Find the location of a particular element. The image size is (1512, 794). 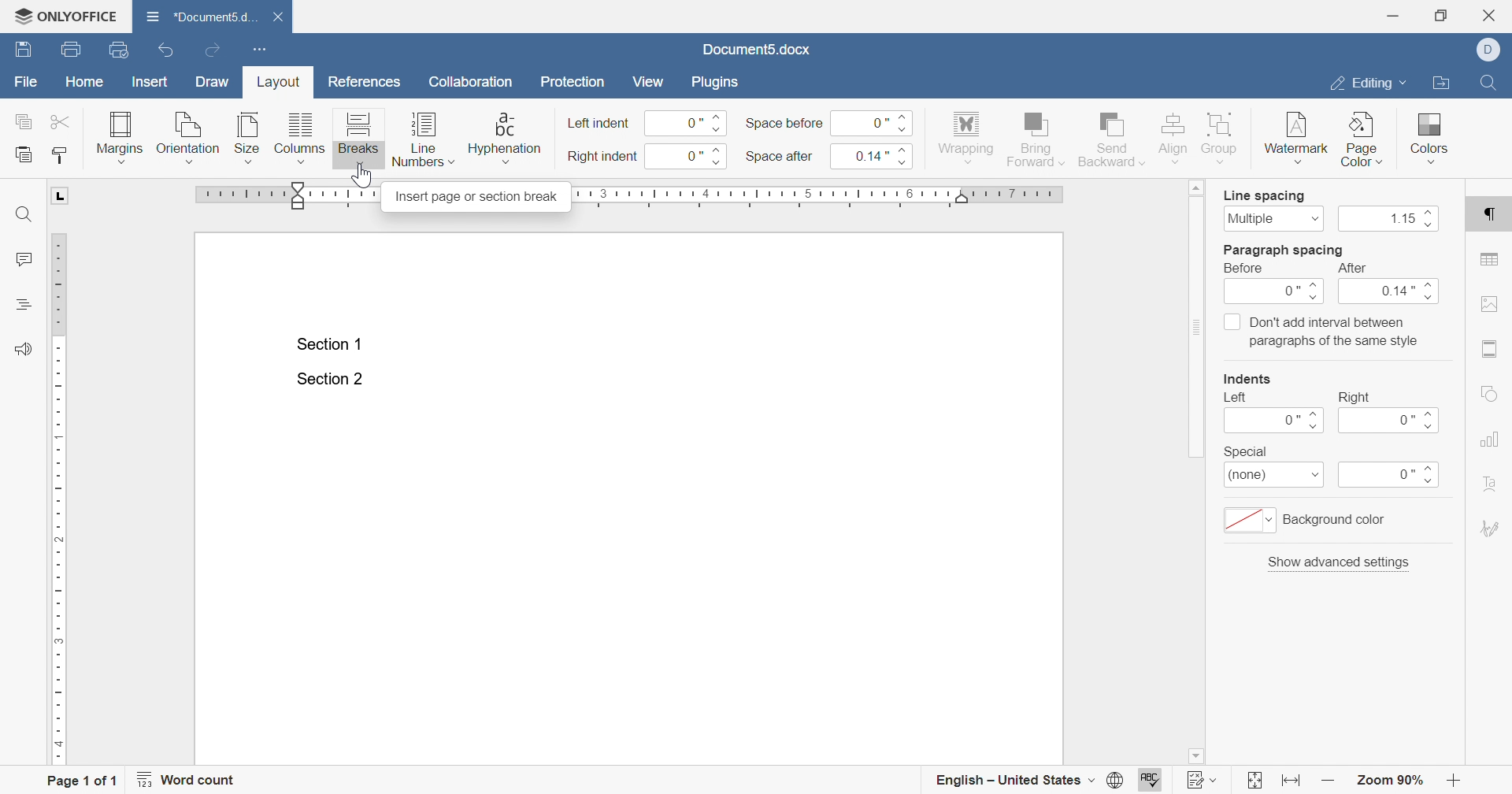

0 is located at coordinates (1276, 293).